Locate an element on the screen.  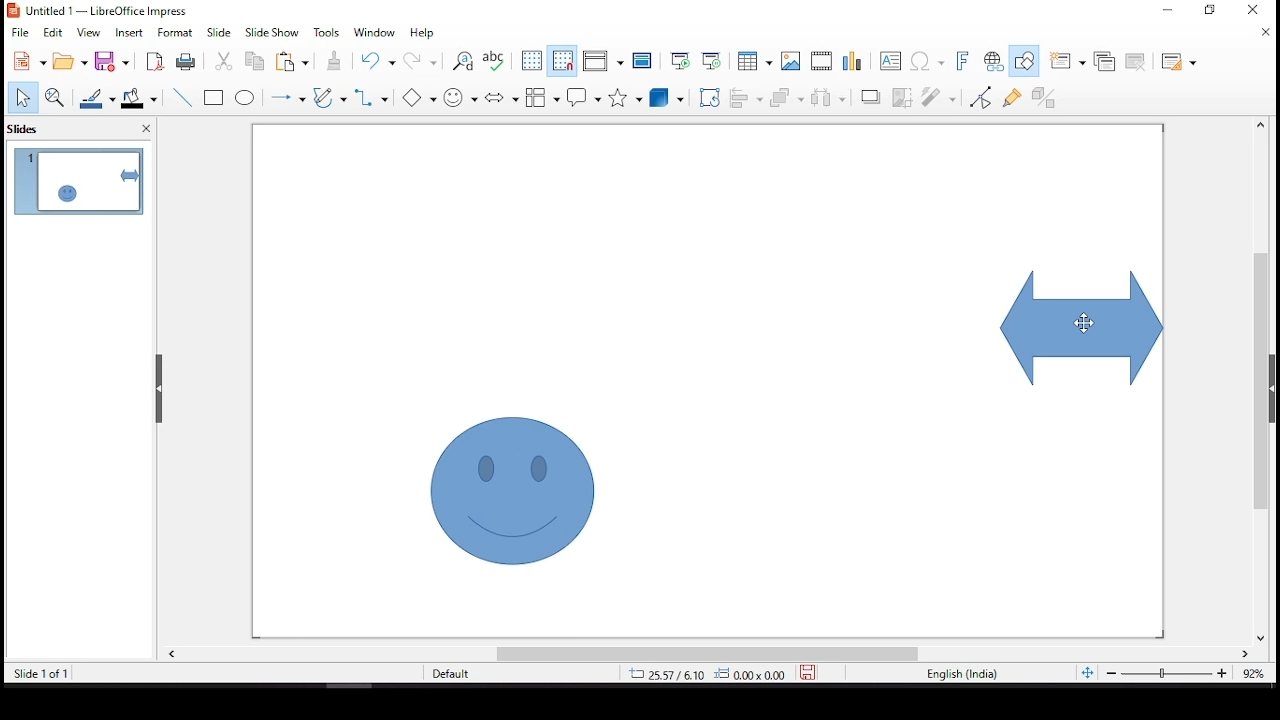
ellipse is located at coordinates (245, 98).